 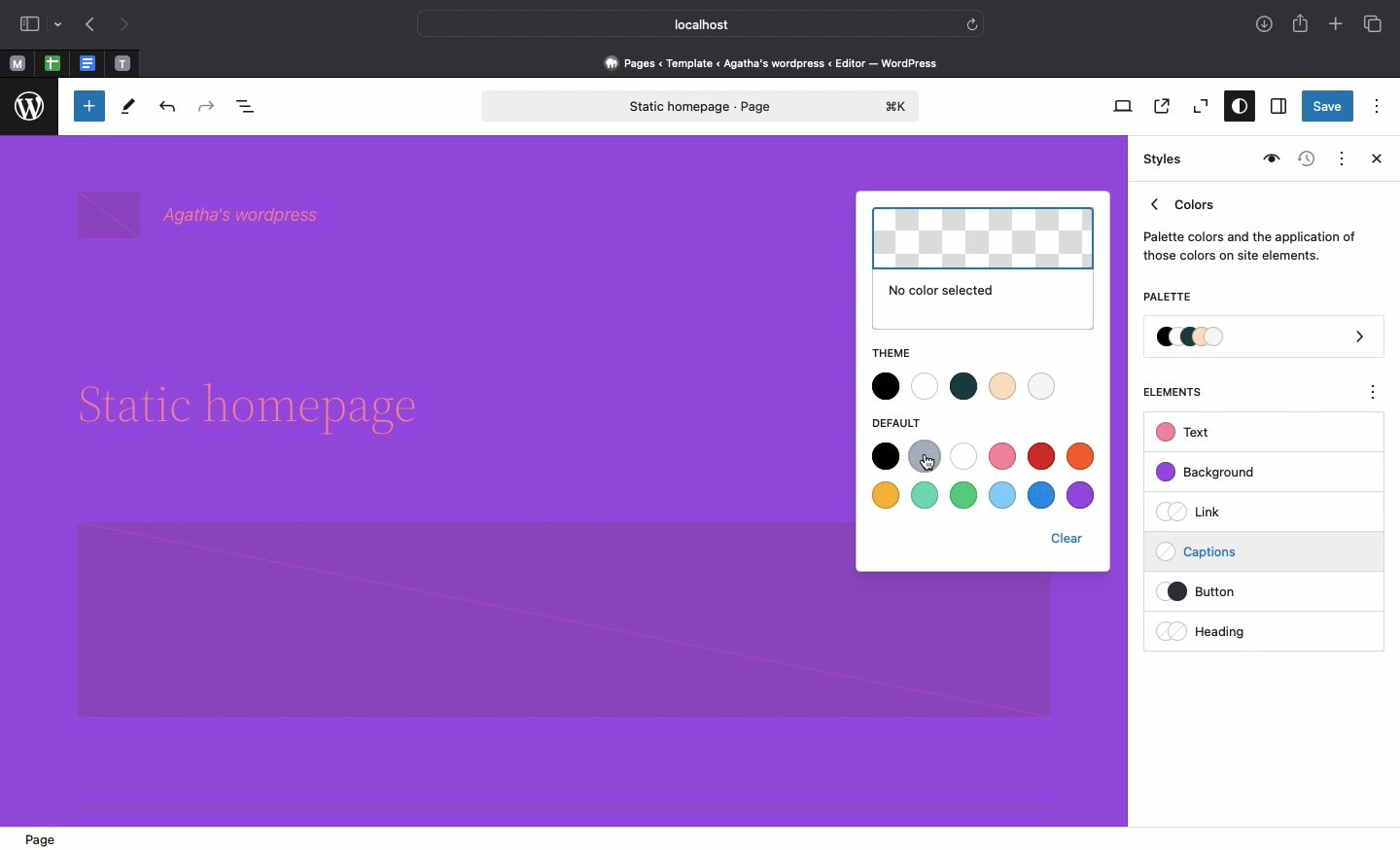 What do you see at coordinates (972, 22) in the screenshot?
I see `refresh` at bounding box center [972, 22].